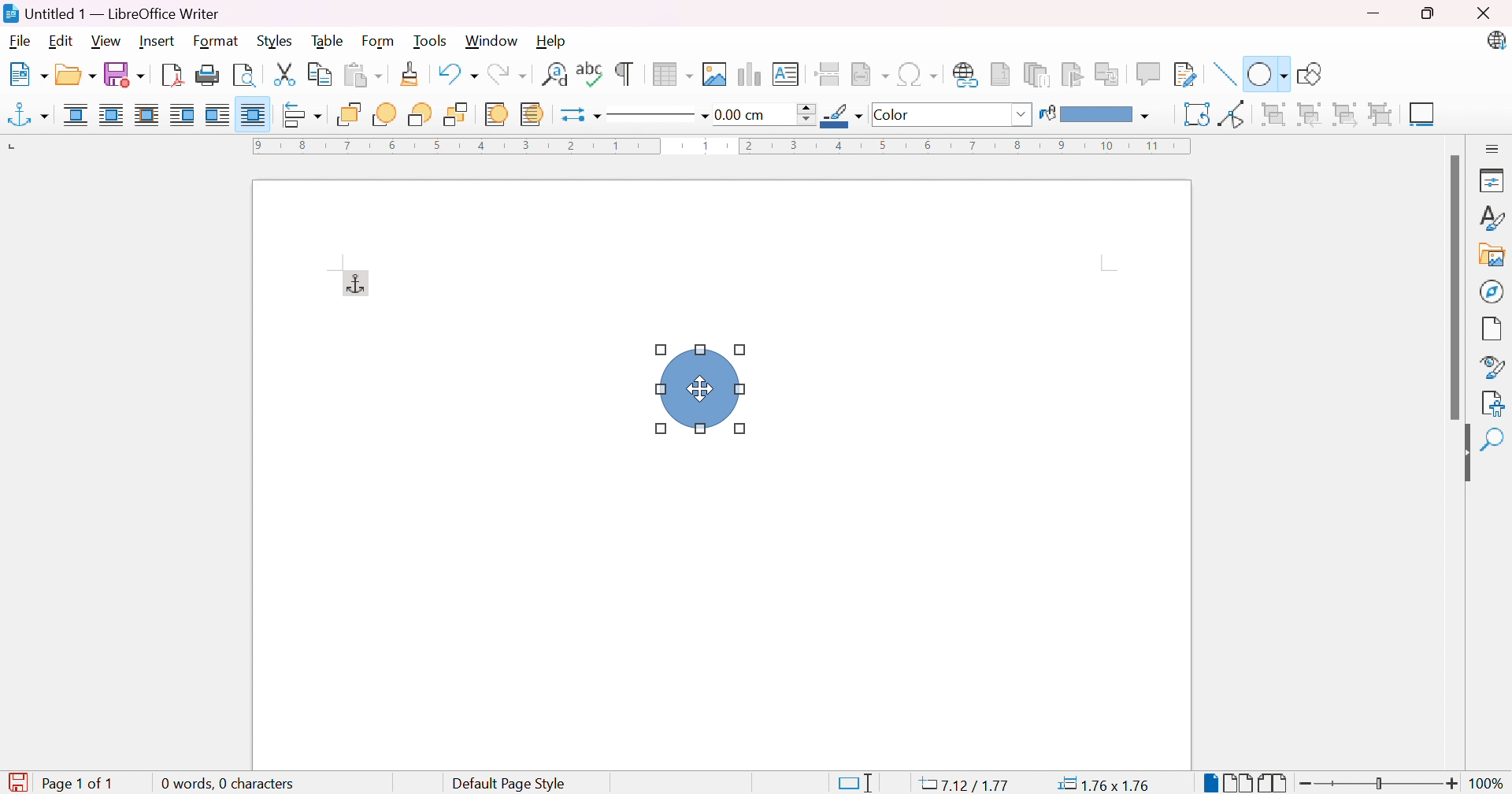 This screenshot has height=794, width=1512. What do you see at coordinates (1493, 149) in the screenshot?
I see `Sidebar settings` at bounding box center [1493, 149].